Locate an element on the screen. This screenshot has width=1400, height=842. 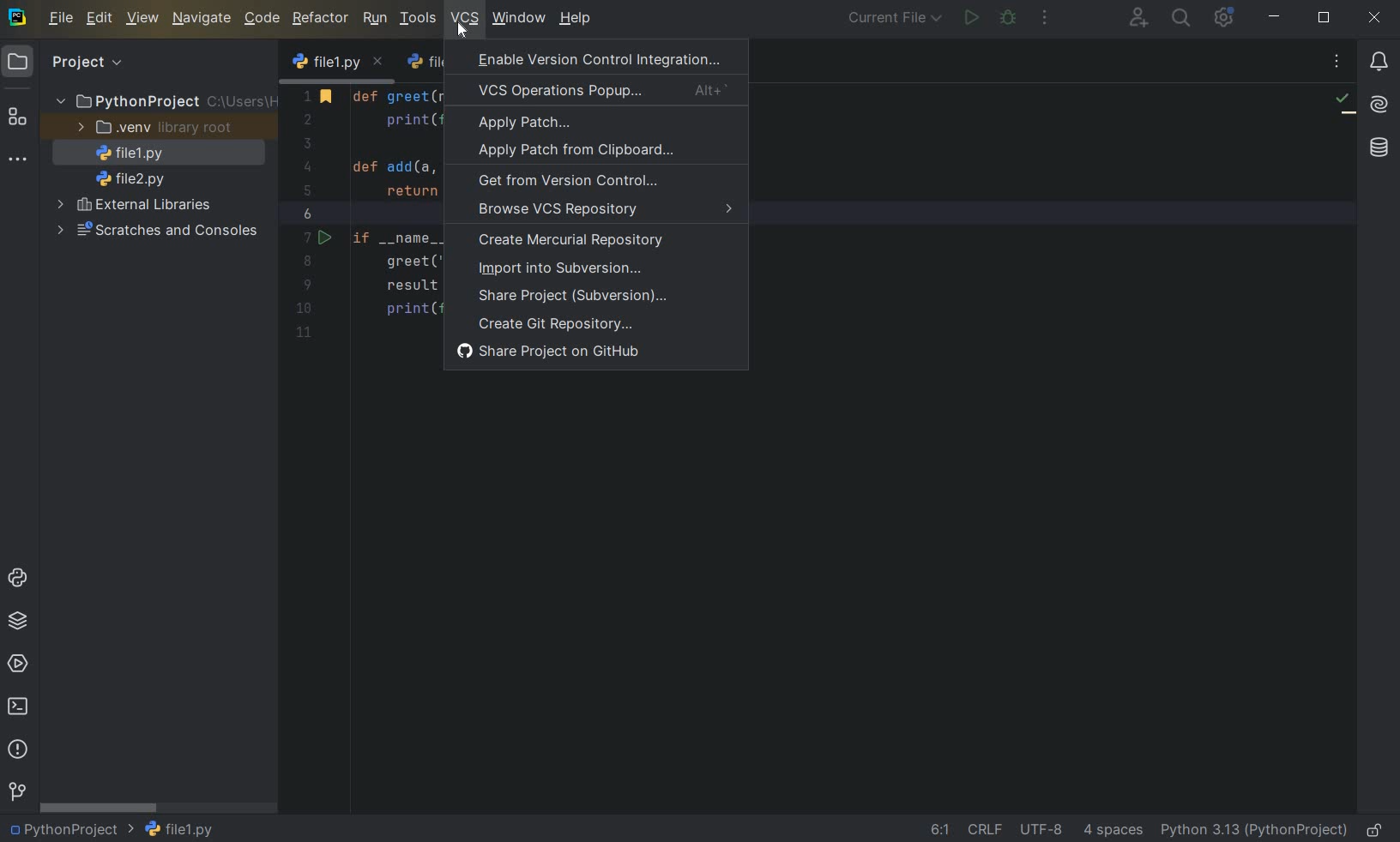
create mercurial repository is located at coordinates (595, 242).